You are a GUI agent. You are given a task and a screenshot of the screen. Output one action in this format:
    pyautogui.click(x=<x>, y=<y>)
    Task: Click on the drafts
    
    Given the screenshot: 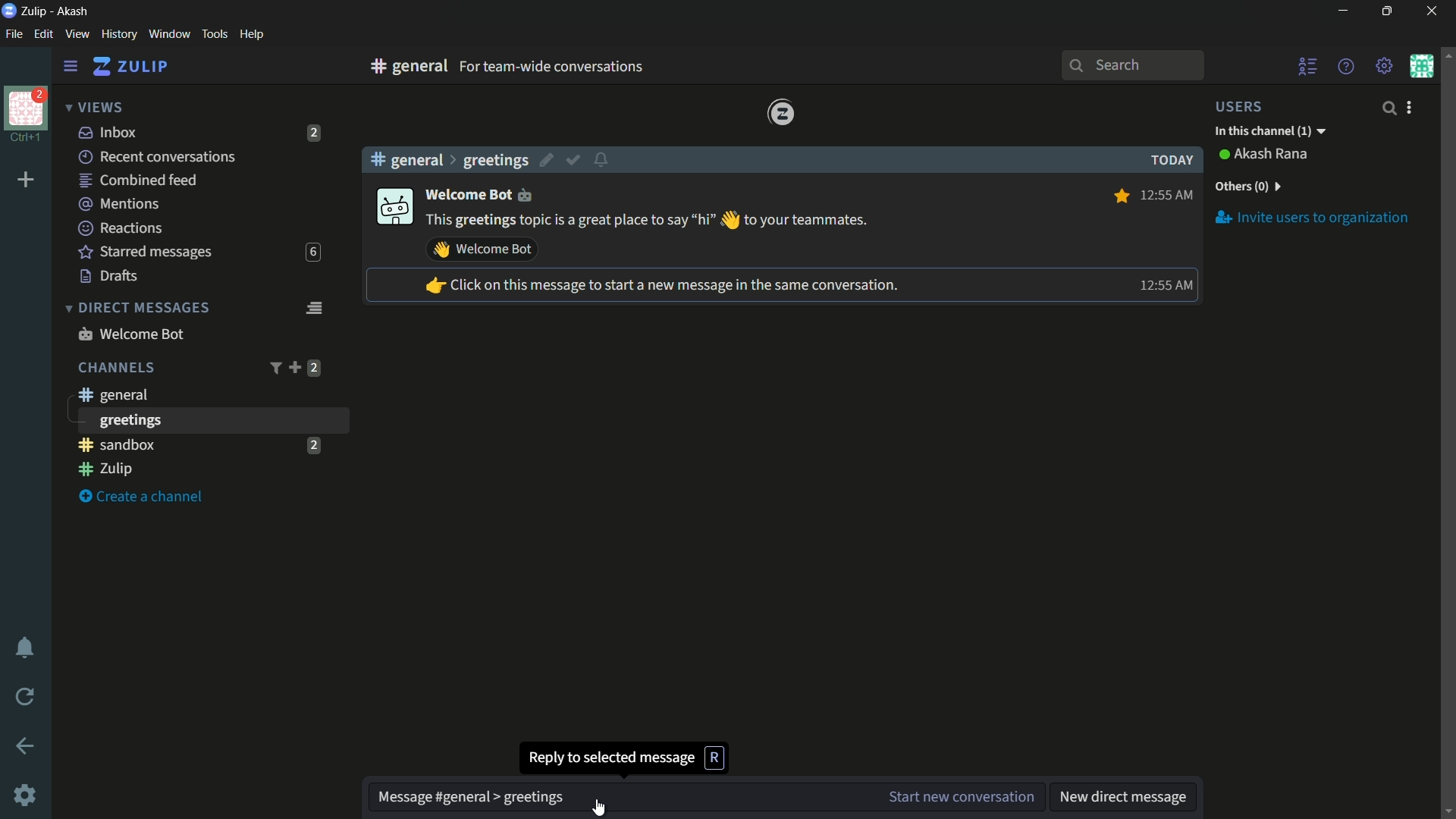 What is the action you would take?
    pyautogui.click(x=109, y=276)
    